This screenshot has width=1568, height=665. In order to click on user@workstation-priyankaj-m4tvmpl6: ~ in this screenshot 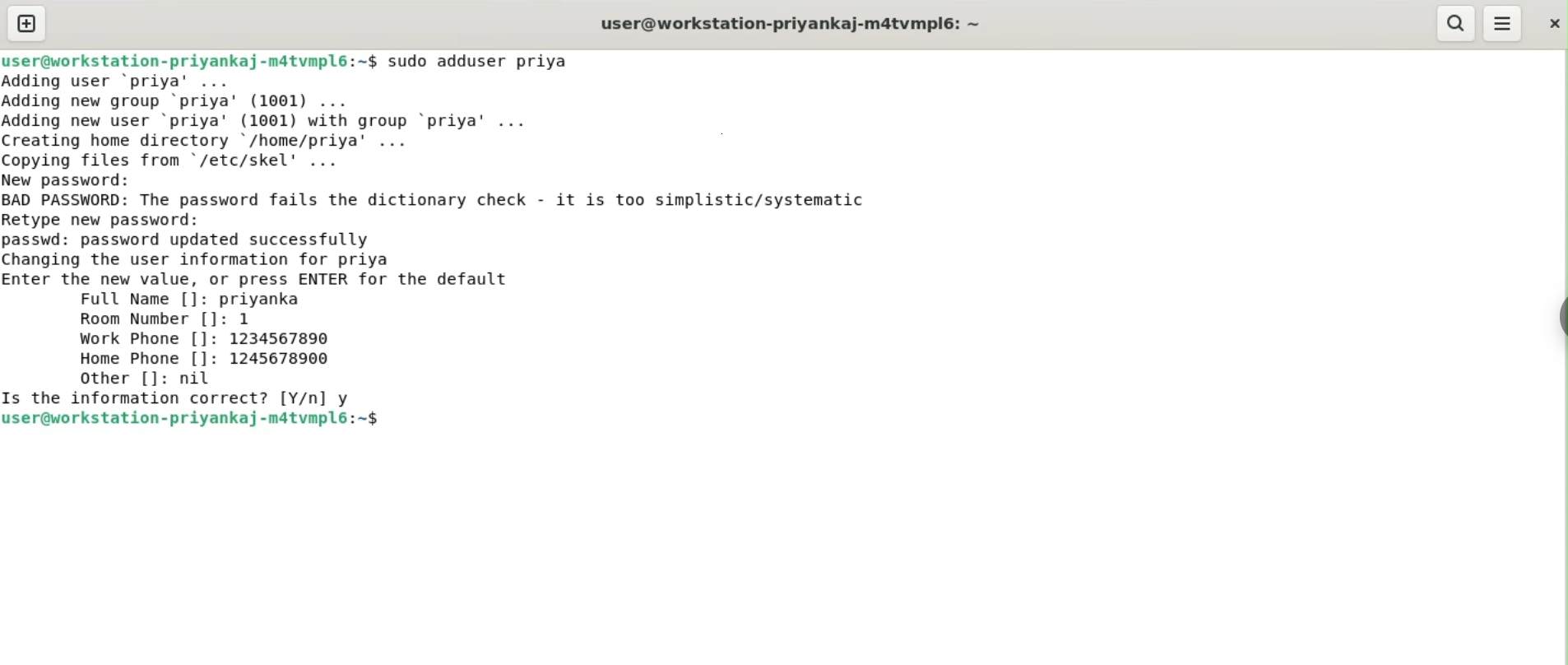, I will do `click(791, 26)`.